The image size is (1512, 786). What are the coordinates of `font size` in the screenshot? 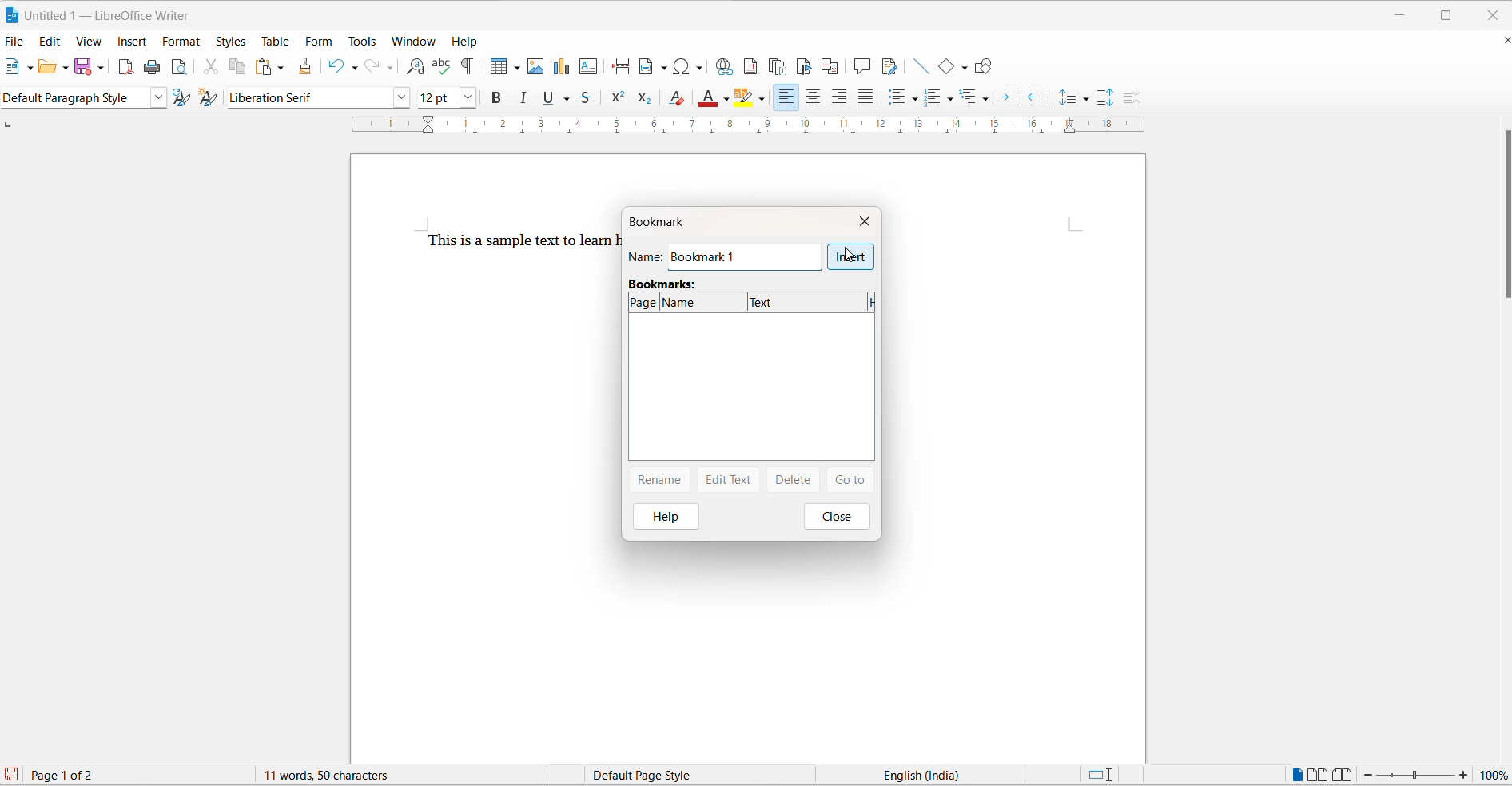 It's located at (436, 98).